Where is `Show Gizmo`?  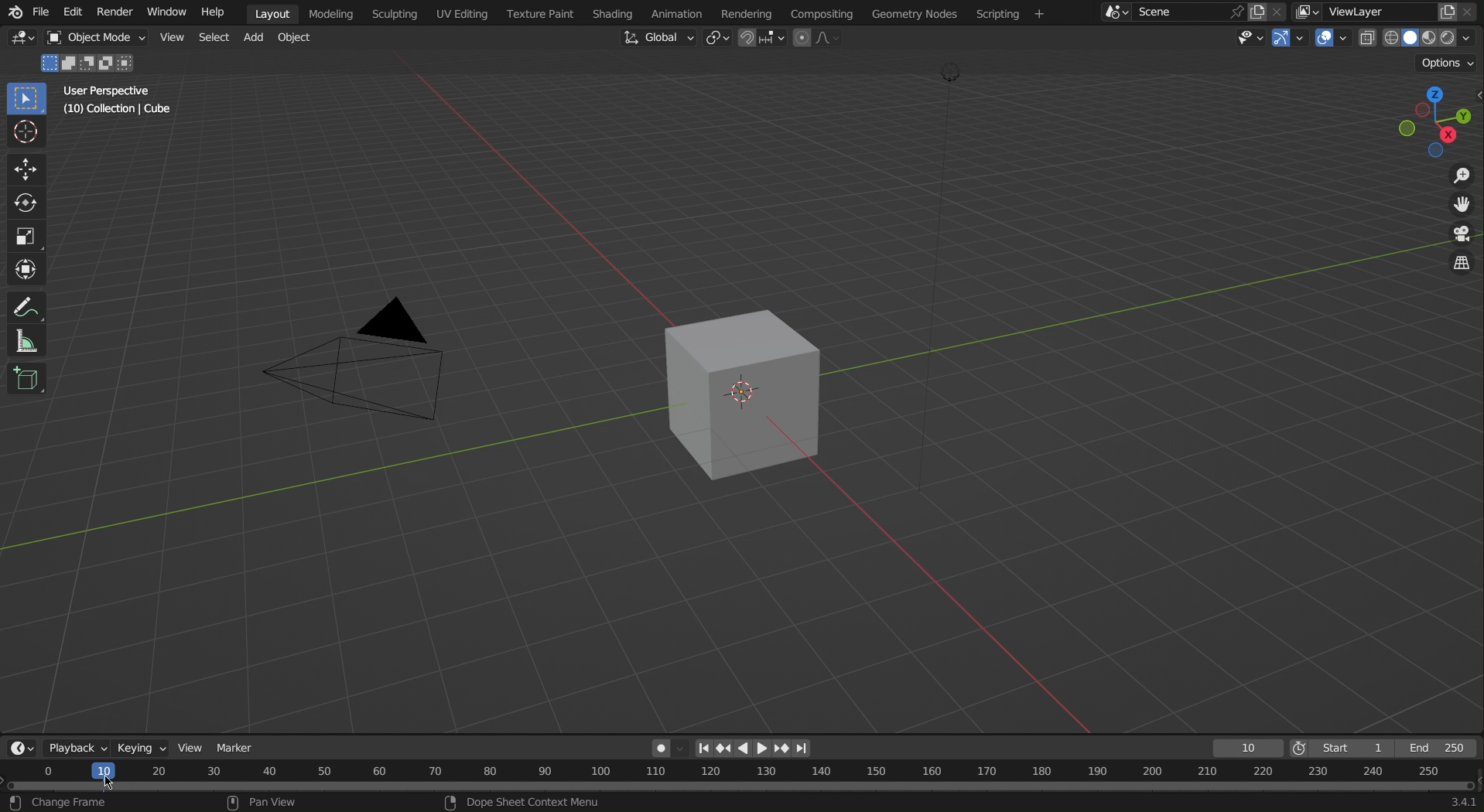 Show Gizmo is located at coordinates (1291, 37).